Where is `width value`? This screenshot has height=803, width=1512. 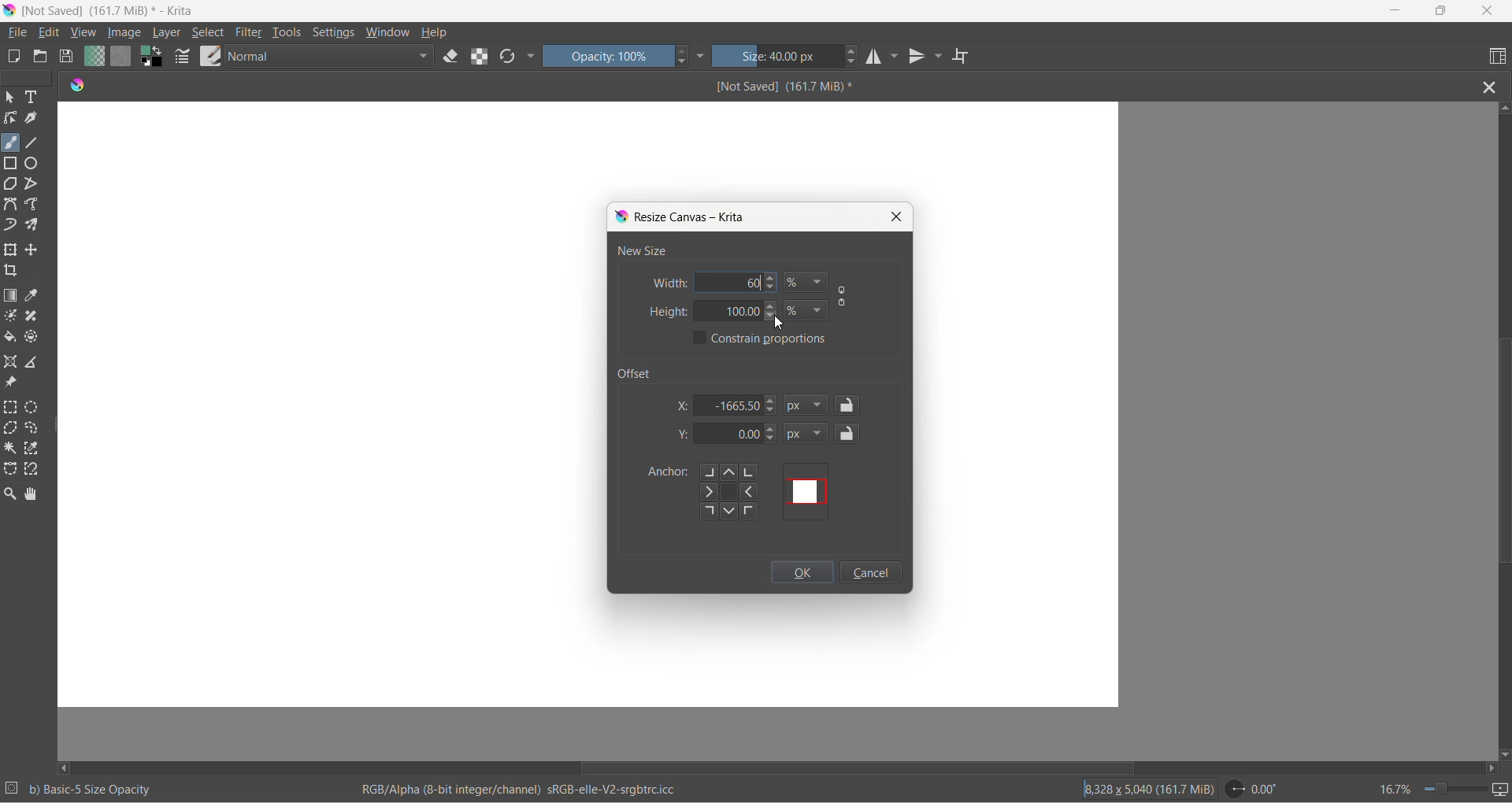
width value is located at coordinates (754, 282).